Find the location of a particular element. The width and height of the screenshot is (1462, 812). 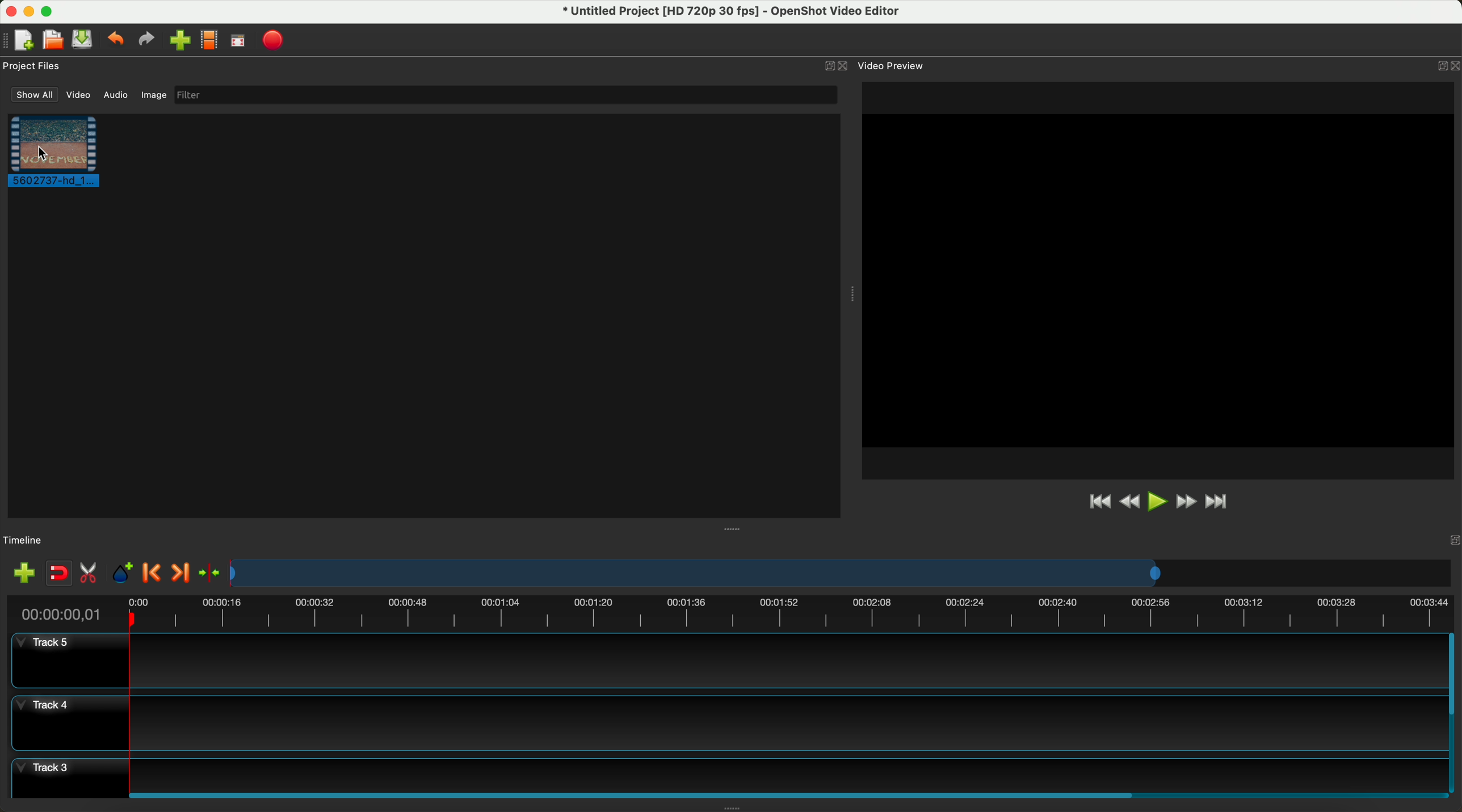

 is located at coordinates (851, 292).